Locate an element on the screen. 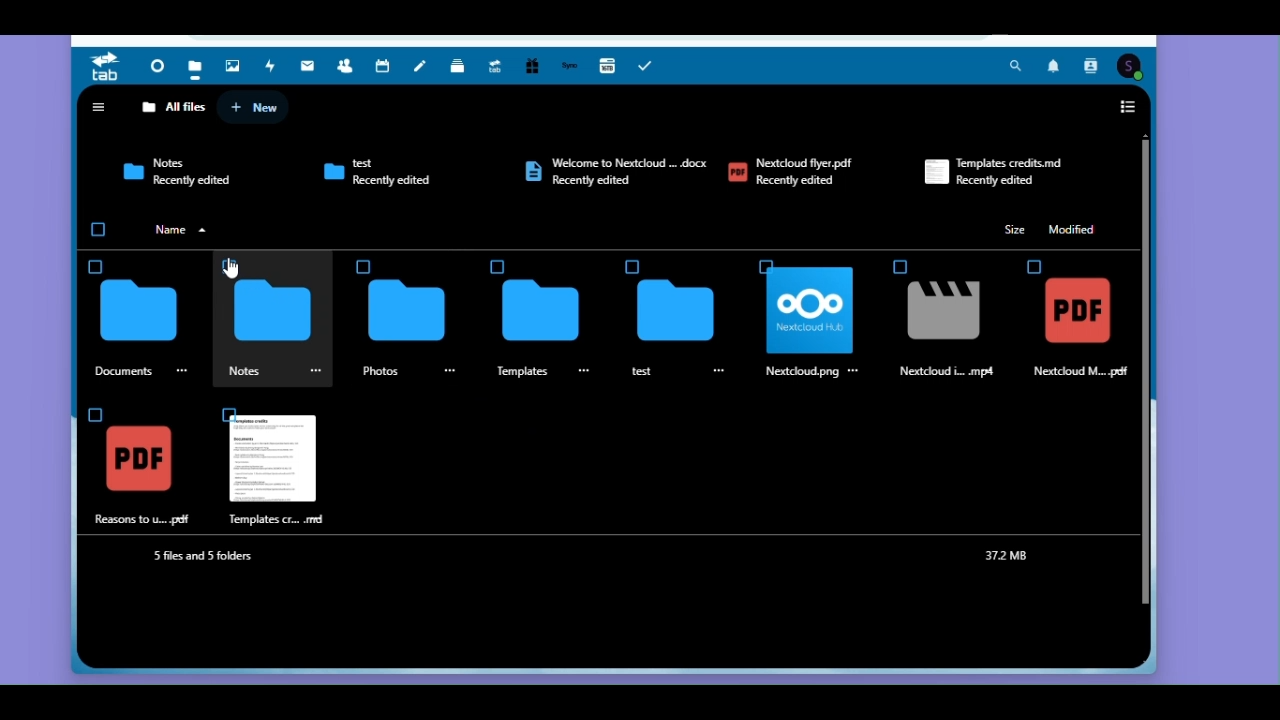  Dashboard is located at coordinates (154, 65).